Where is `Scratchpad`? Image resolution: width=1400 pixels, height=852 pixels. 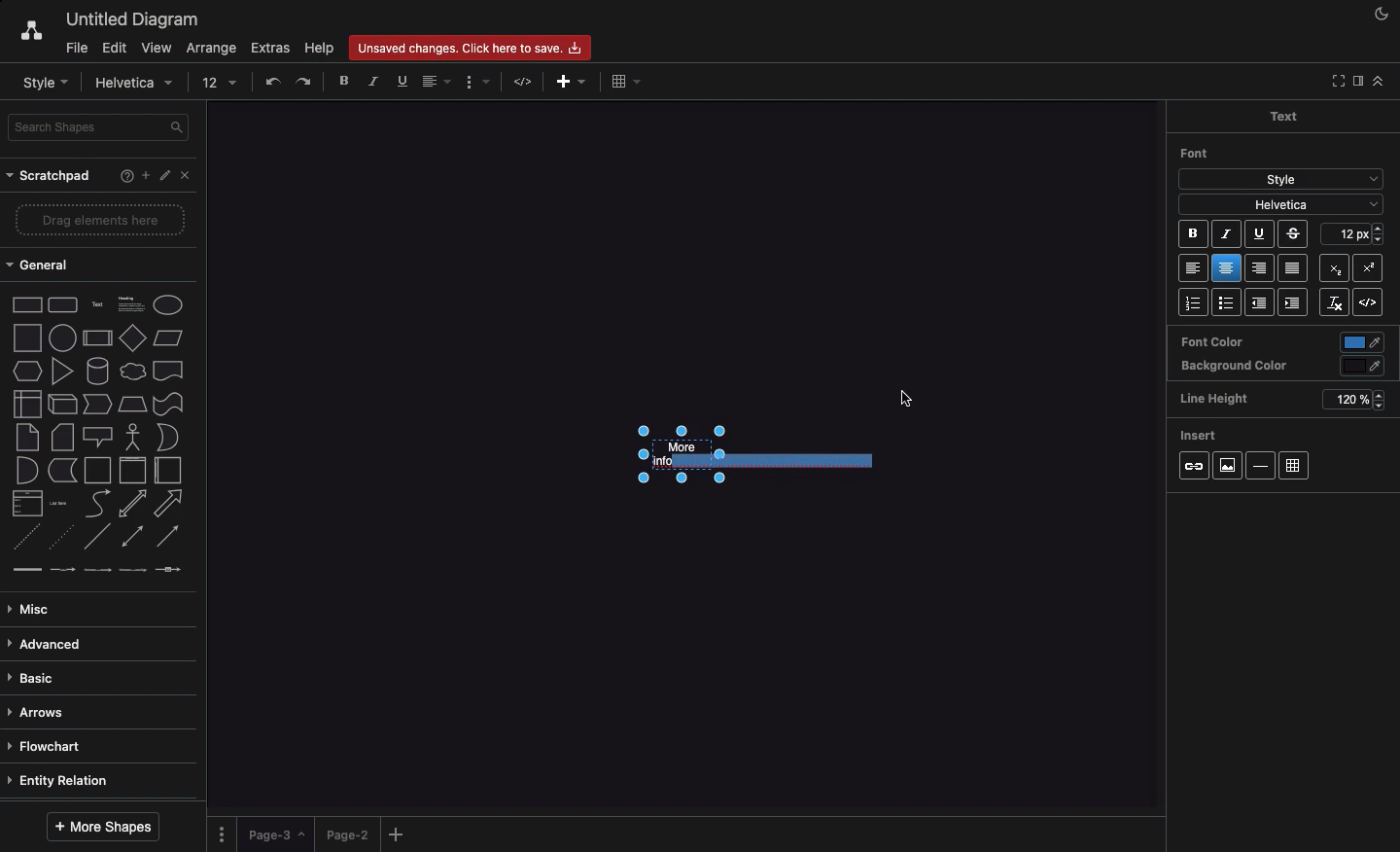 Scratchpad is located at coordinates (52, 177).